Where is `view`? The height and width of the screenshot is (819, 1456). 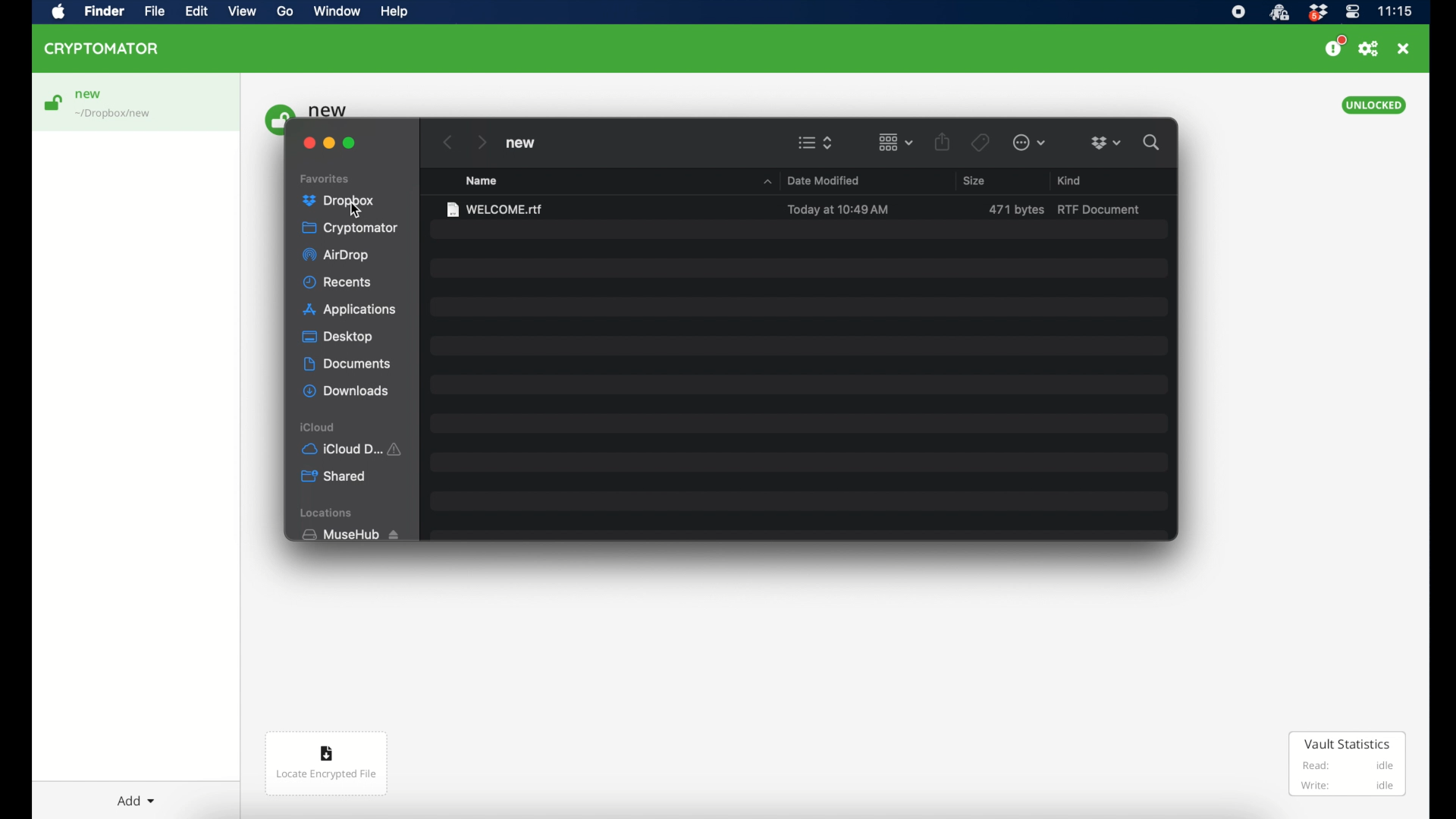 view is located at coordinates (242, 11).